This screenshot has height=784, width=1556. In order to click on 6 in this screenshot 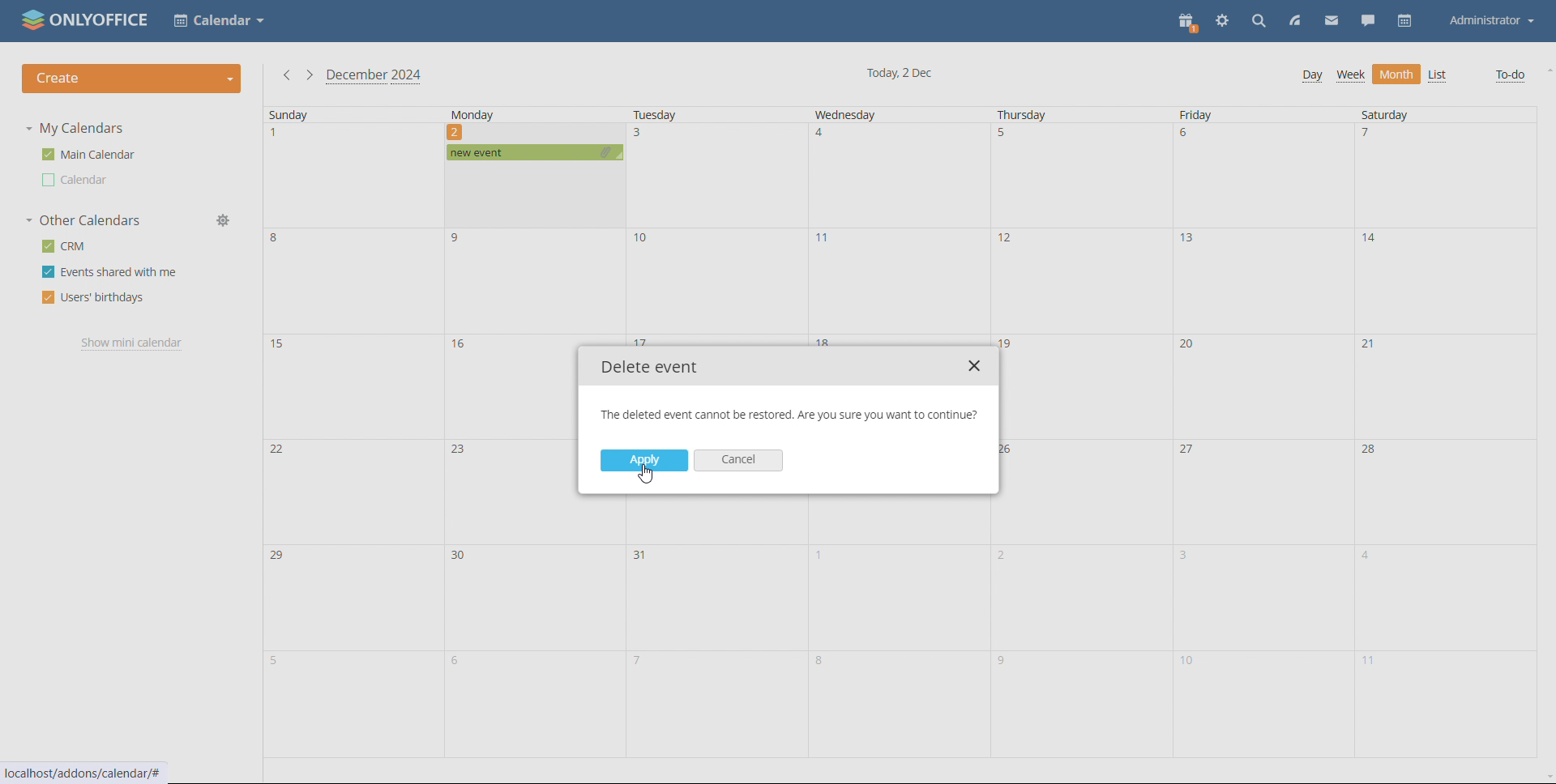, I will do `click(1188, 137)`.